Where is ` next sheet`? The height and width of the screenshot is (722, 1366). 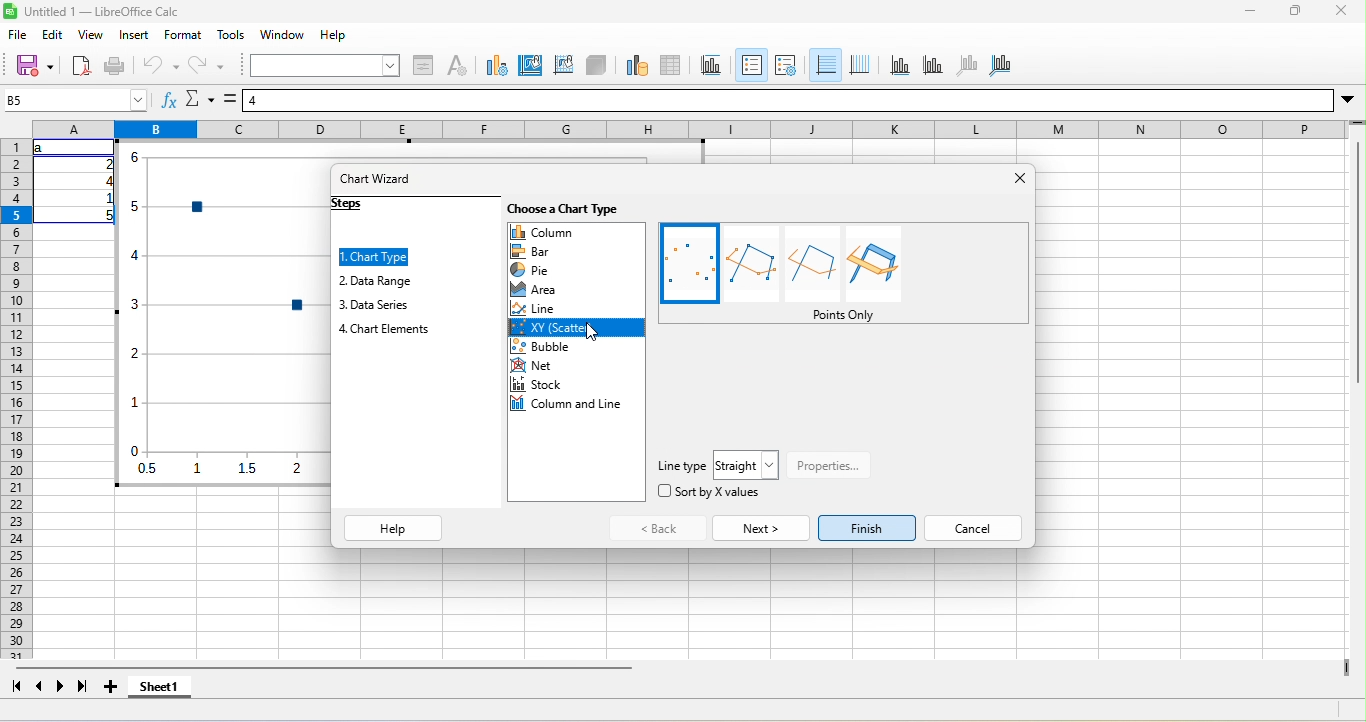
 next sheet is located at coordinates (61, 686).